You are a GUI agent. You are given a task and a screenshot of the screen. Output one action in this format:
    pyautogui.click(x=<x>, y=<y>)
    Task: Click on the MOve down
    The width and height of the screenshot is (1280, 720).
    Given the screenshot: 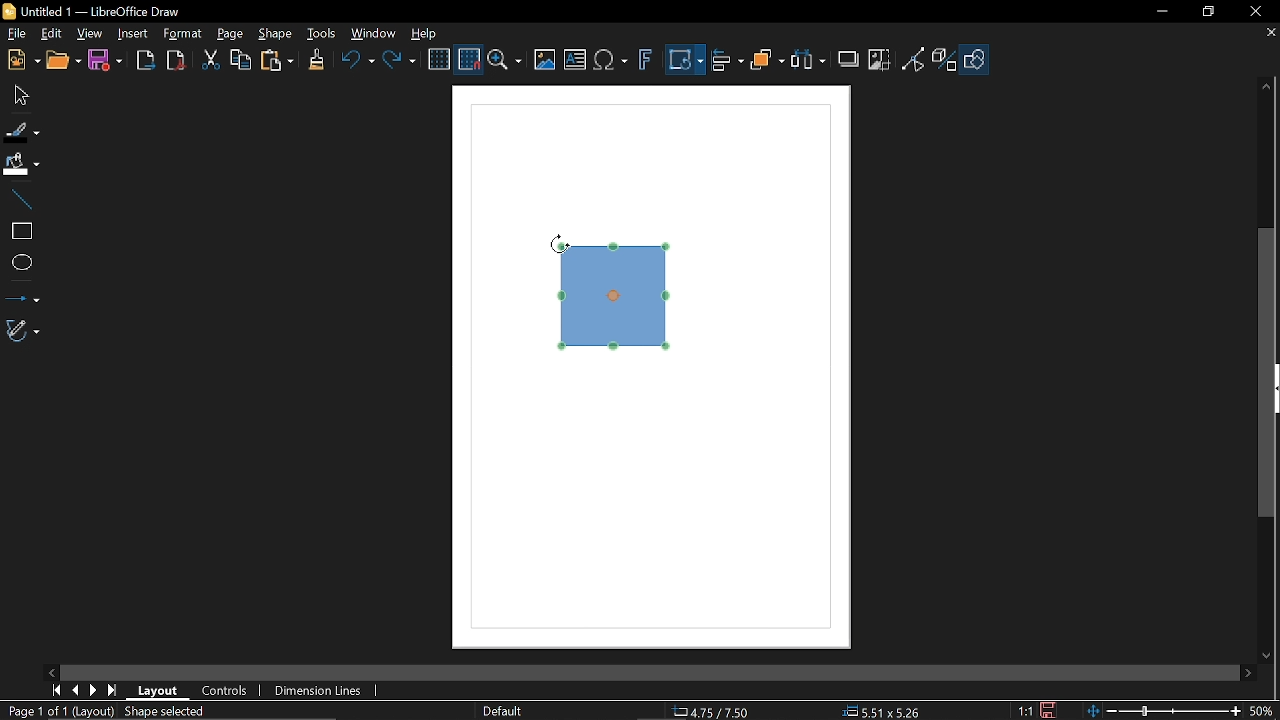 What is the action you would take?
    pyautogui.click(x=1272, y=655)
    